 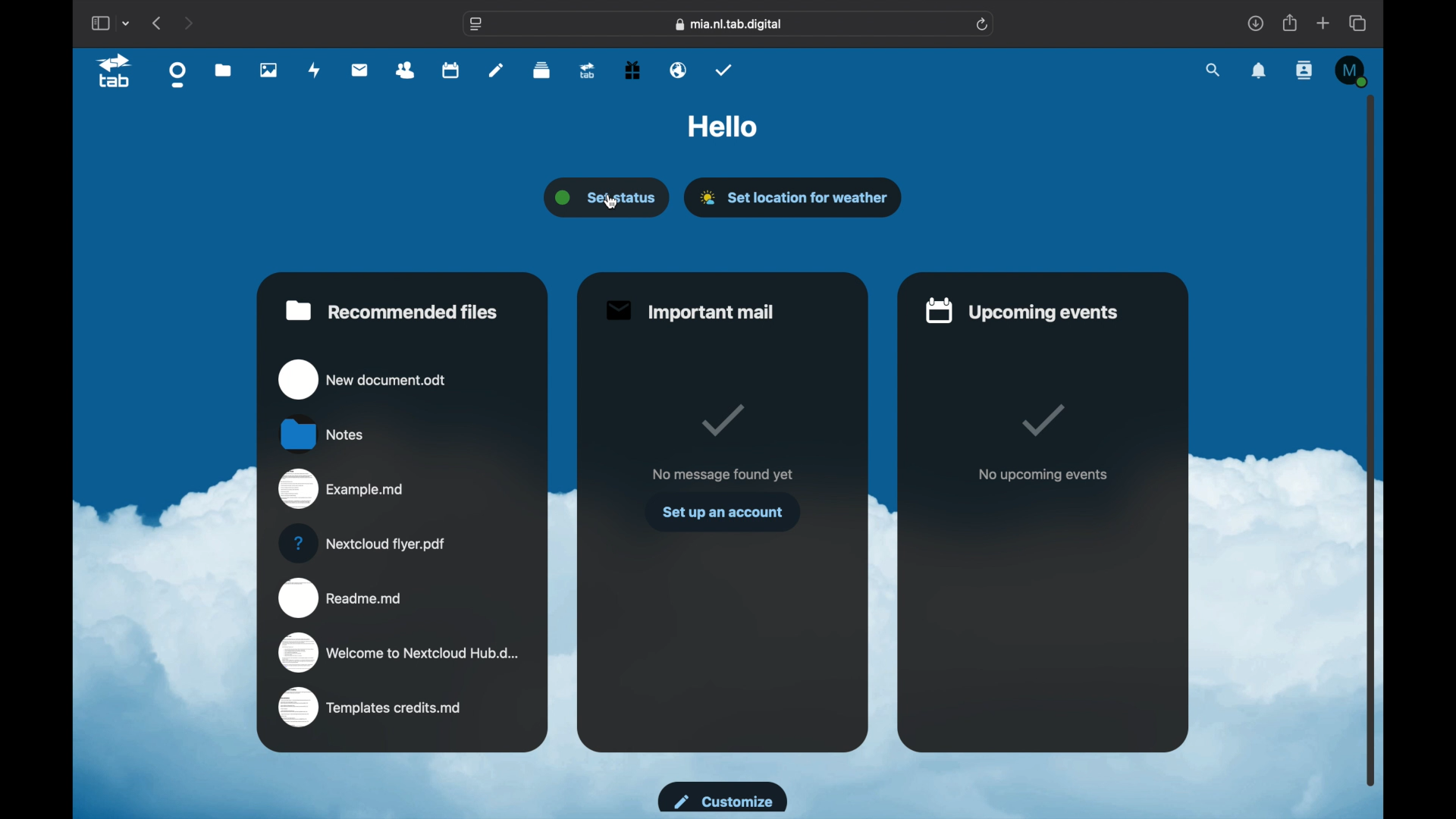 I want to click on refresh, so click(x=984, y=25).